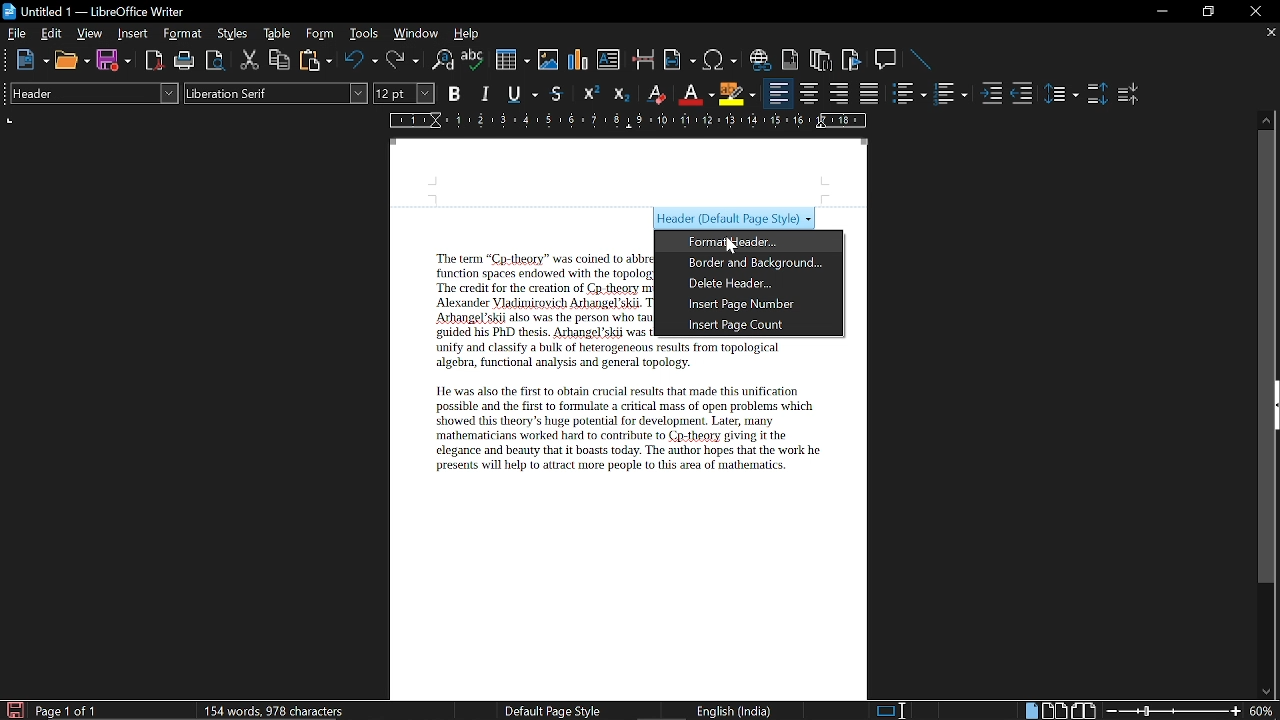 The image size is (1280, 720). Describe the element at coordinates (990, 93) in the screenshot. I see `Increase indent` at that location.